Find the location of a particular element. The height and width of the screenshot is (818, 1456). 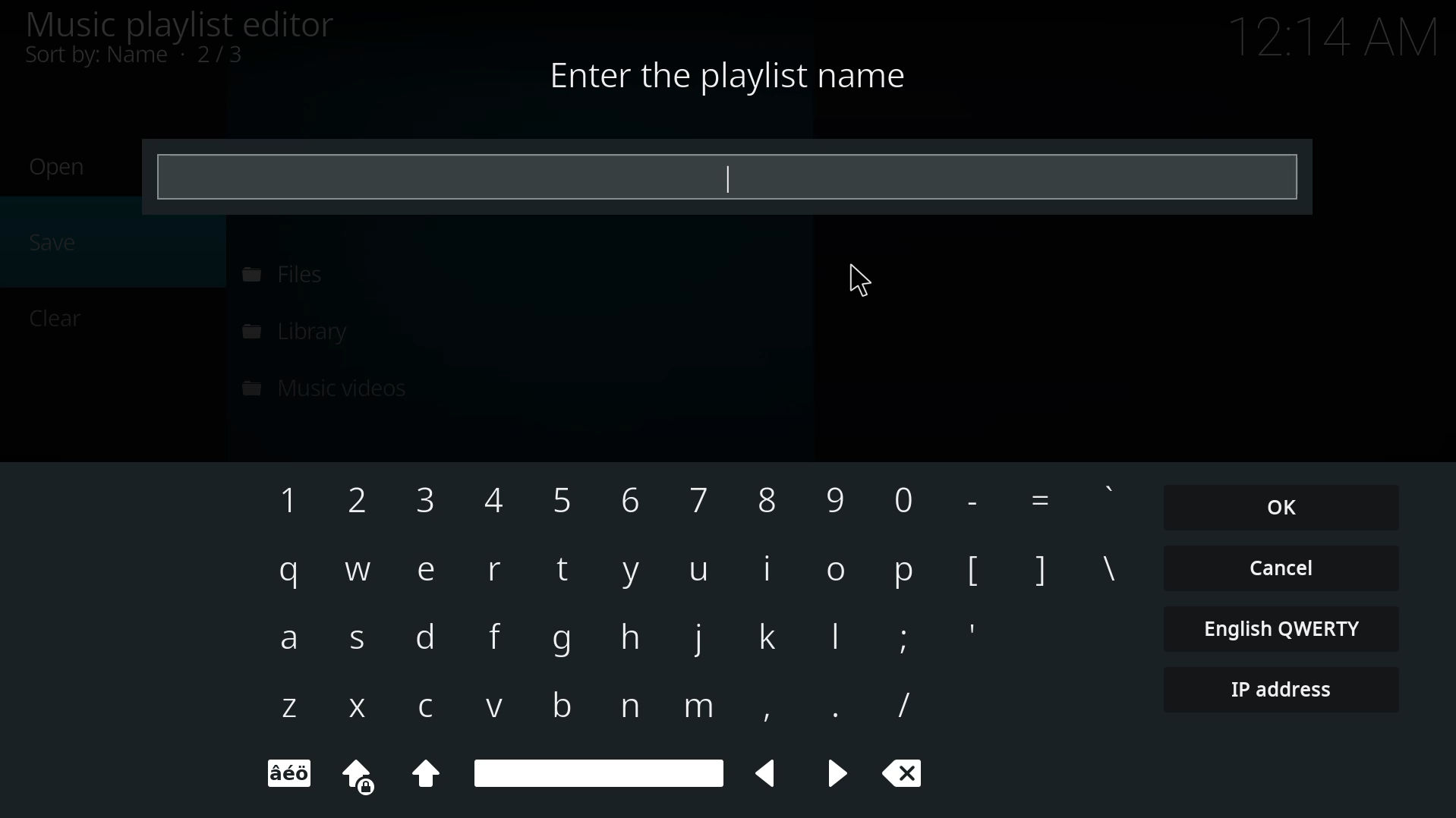

cancel is located at coordinates (1281, 566).